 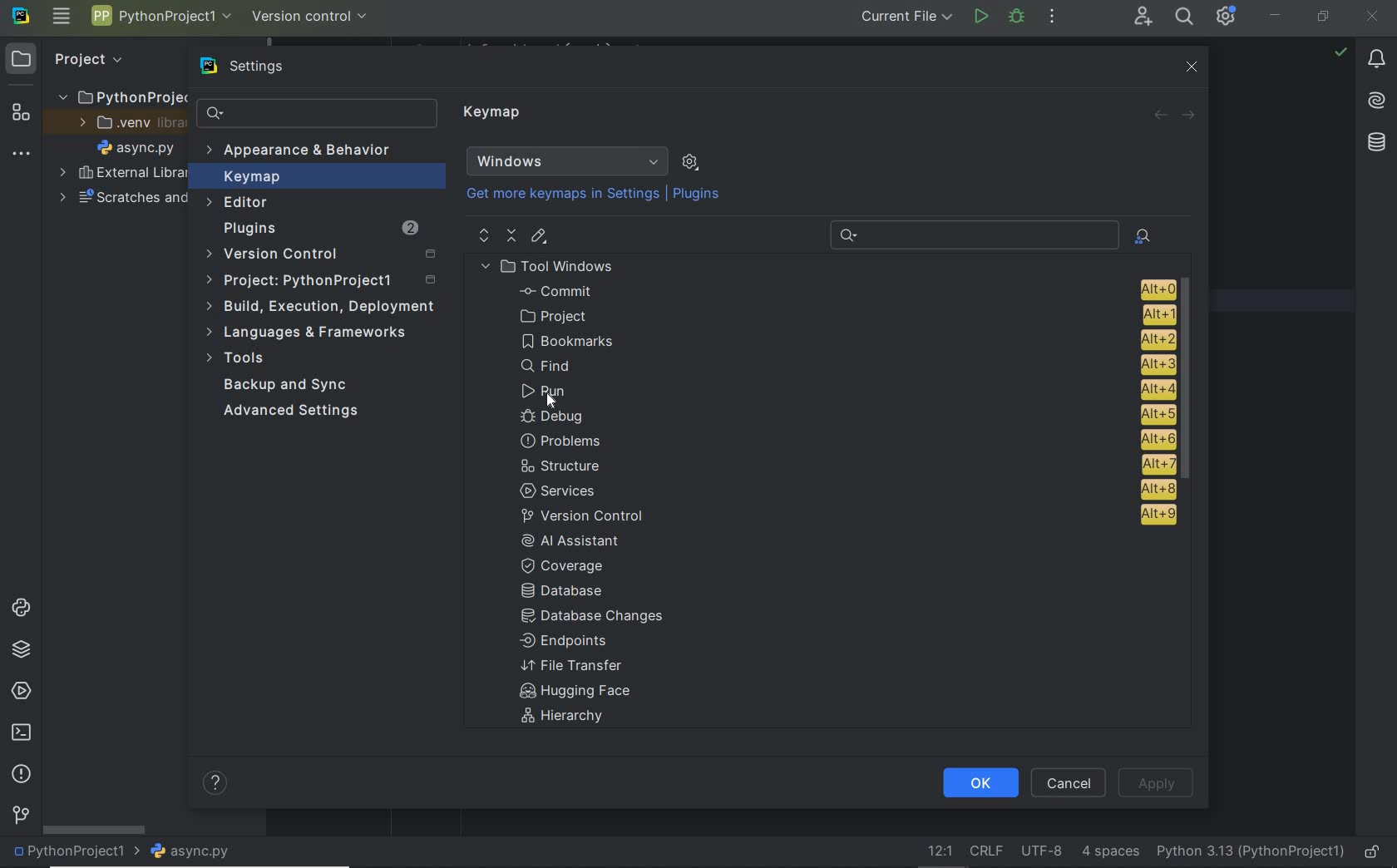 I want to click on main menu, so click(x=61, y=17).